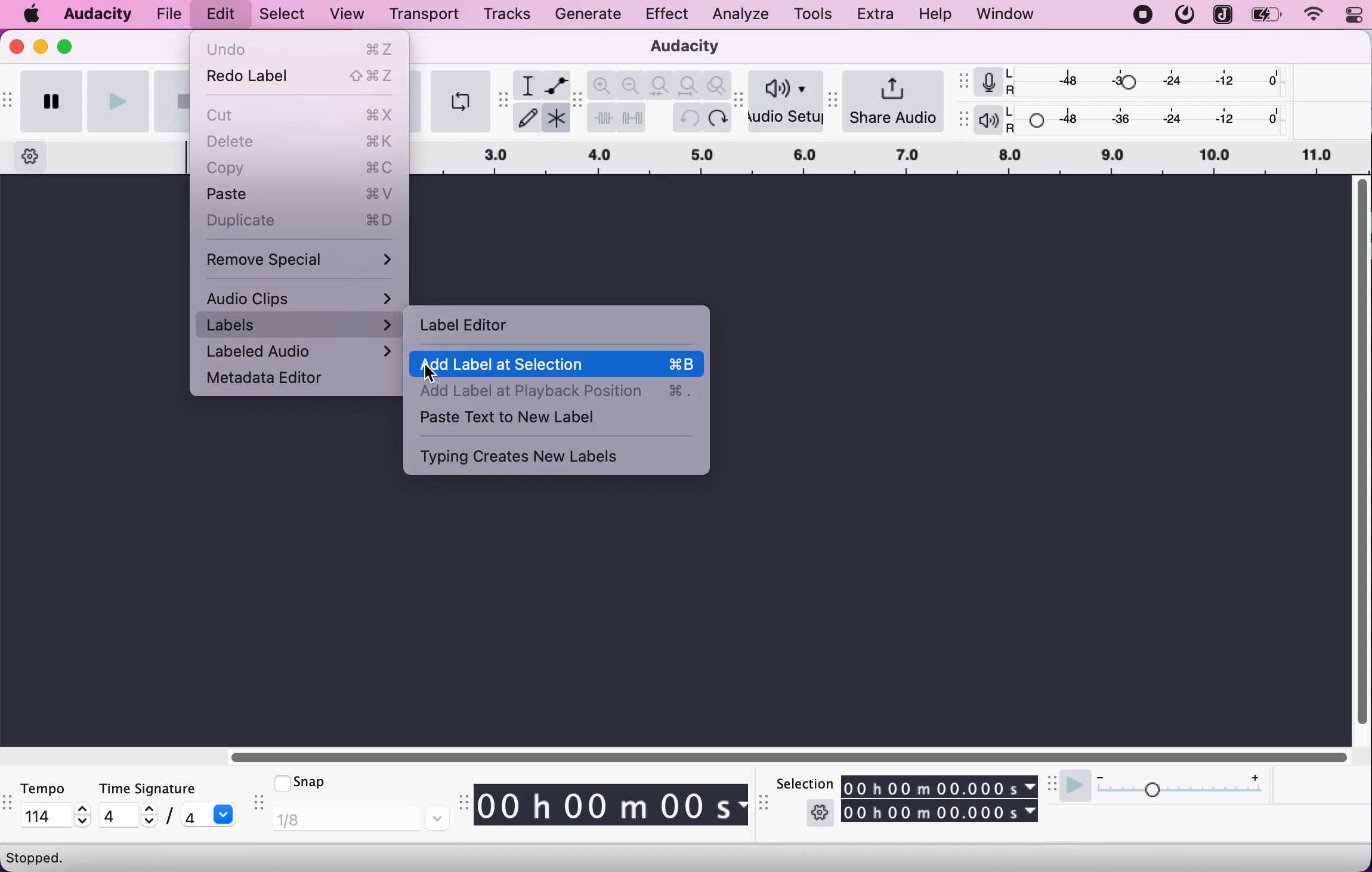 The image size is (1372, 872). I want to click on playback speed, so click(1183, 794).